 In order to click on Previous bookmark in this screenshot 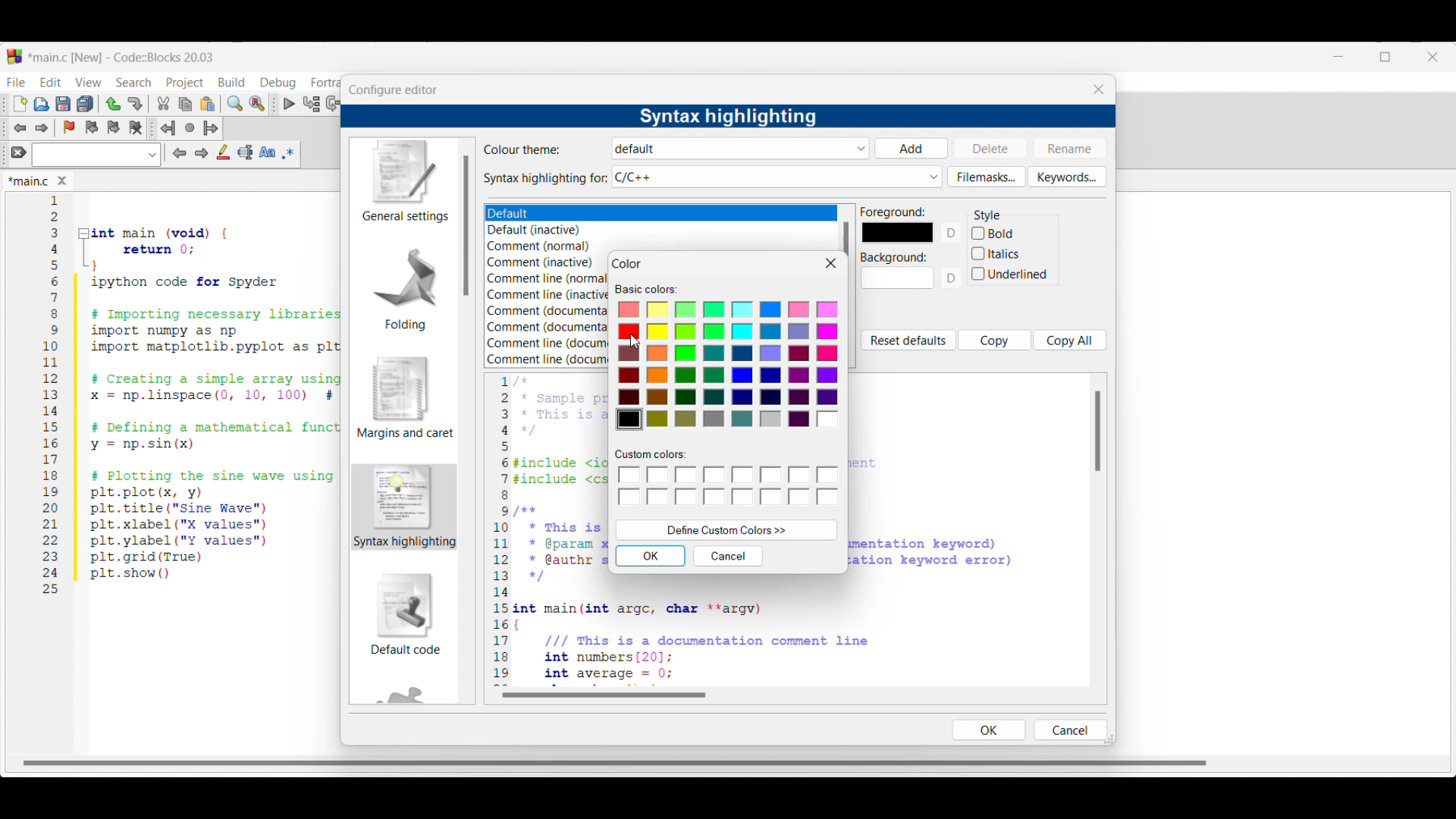, I will do `click(91, 127)`.